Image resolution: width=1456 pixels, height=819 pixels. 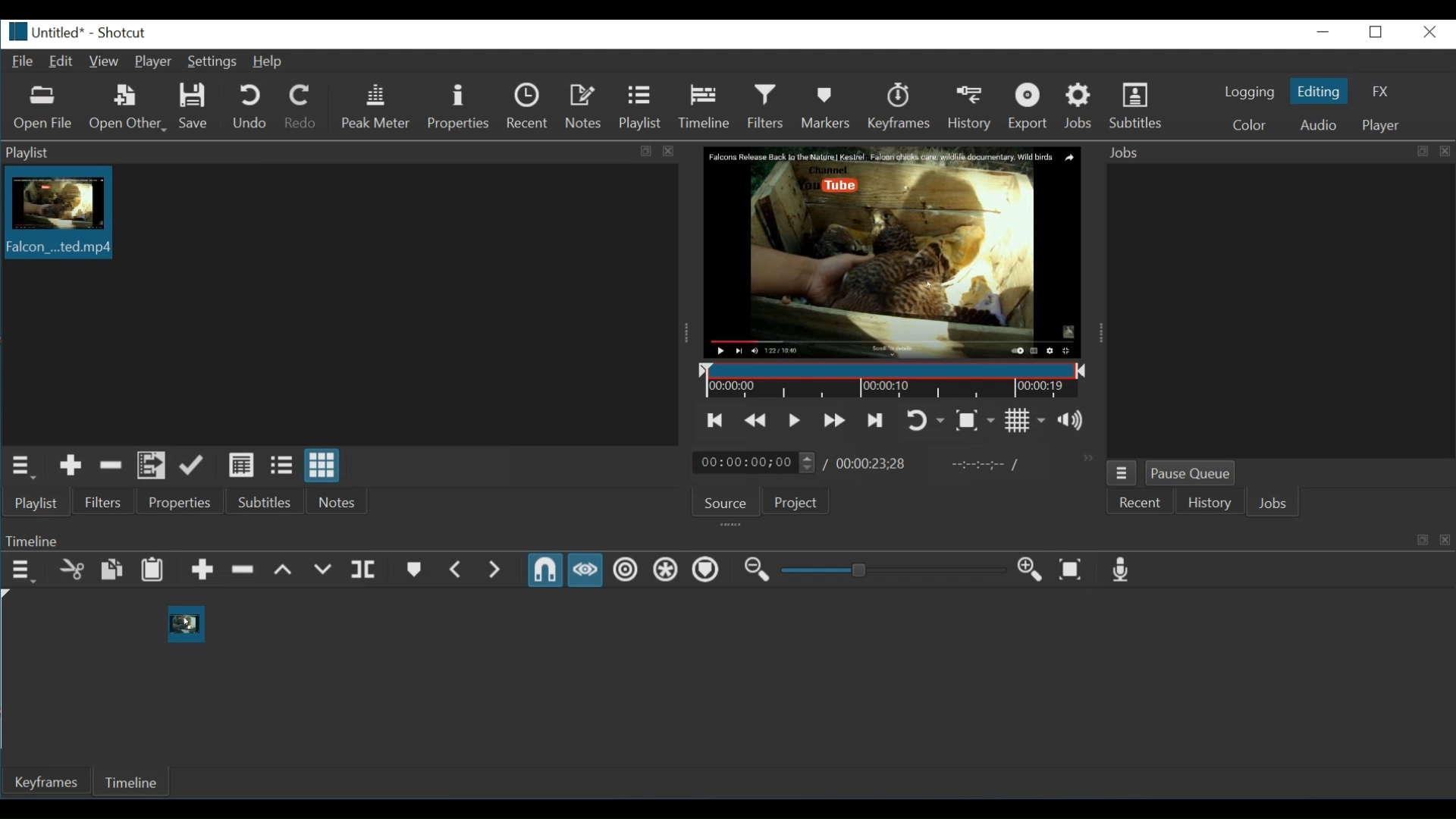 What do you see at coordinates (756, 570) in the screenshot?
I see `Zoom timeline out` at bounding box center [756, 570].